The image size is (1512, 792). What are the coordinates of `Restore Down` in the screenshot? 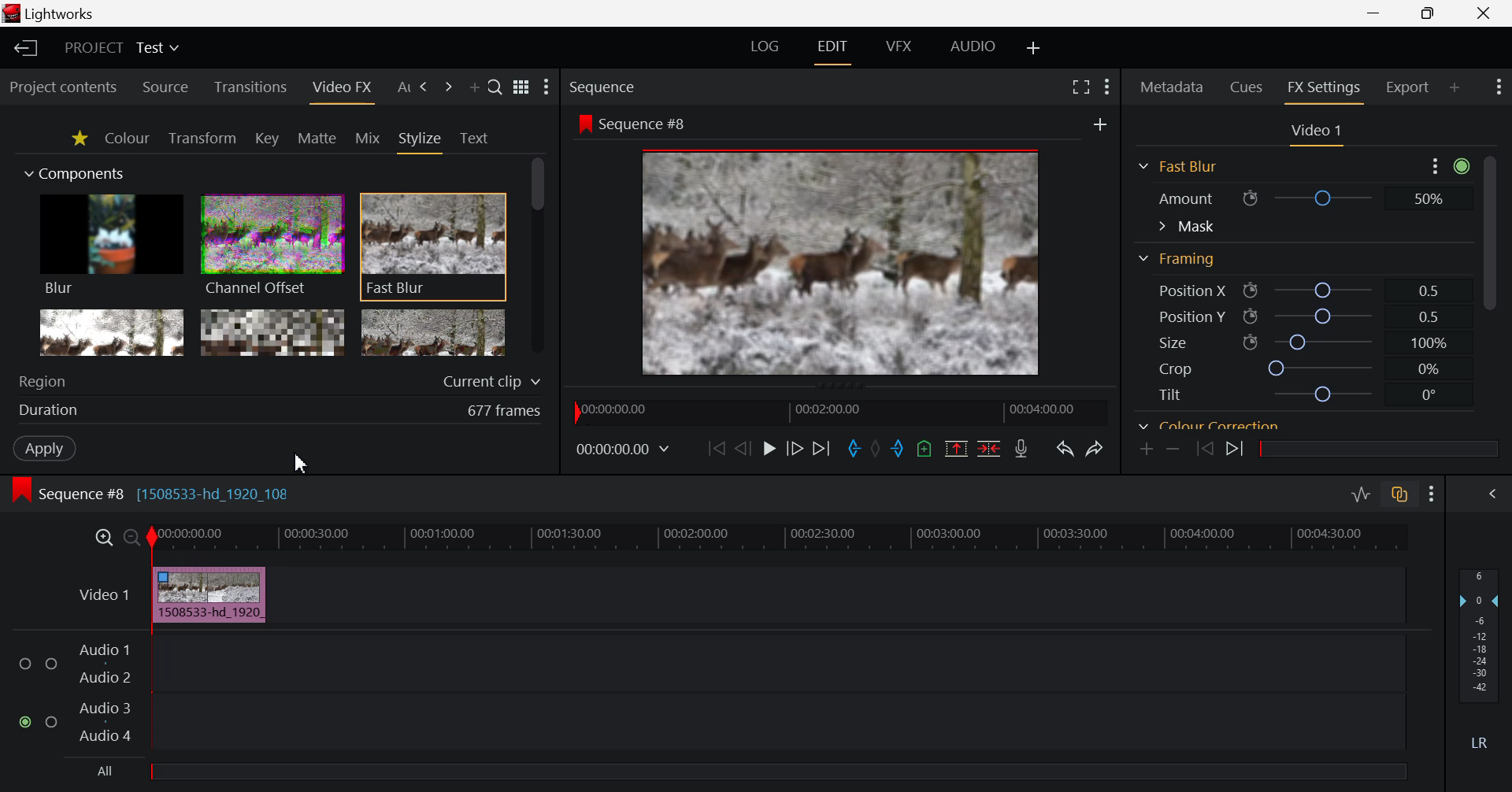 It's located at (1379, 13).